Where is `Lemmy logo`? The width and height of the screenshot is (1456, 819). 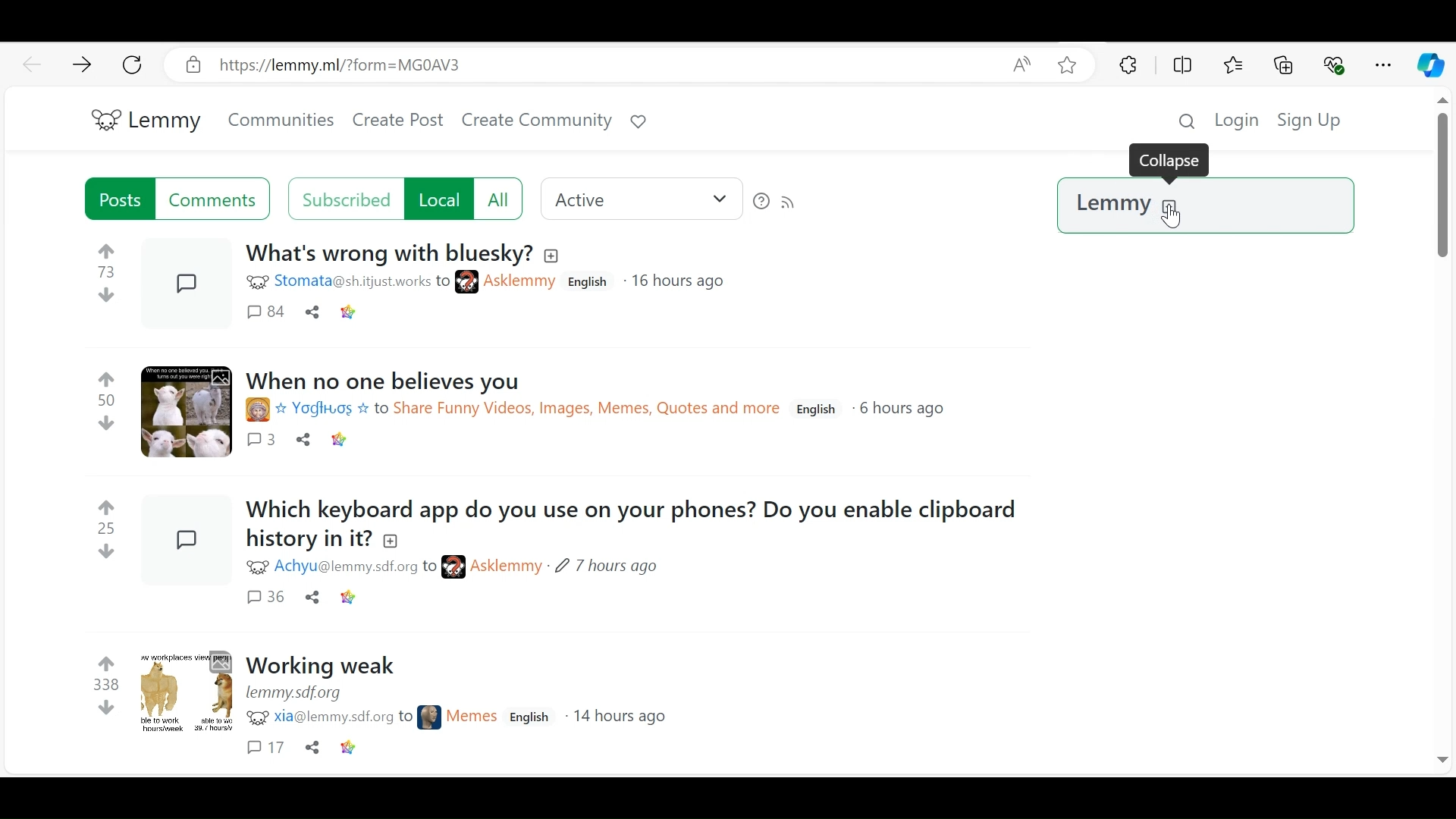
Lemmy logo is located at coordinates (95, 118).